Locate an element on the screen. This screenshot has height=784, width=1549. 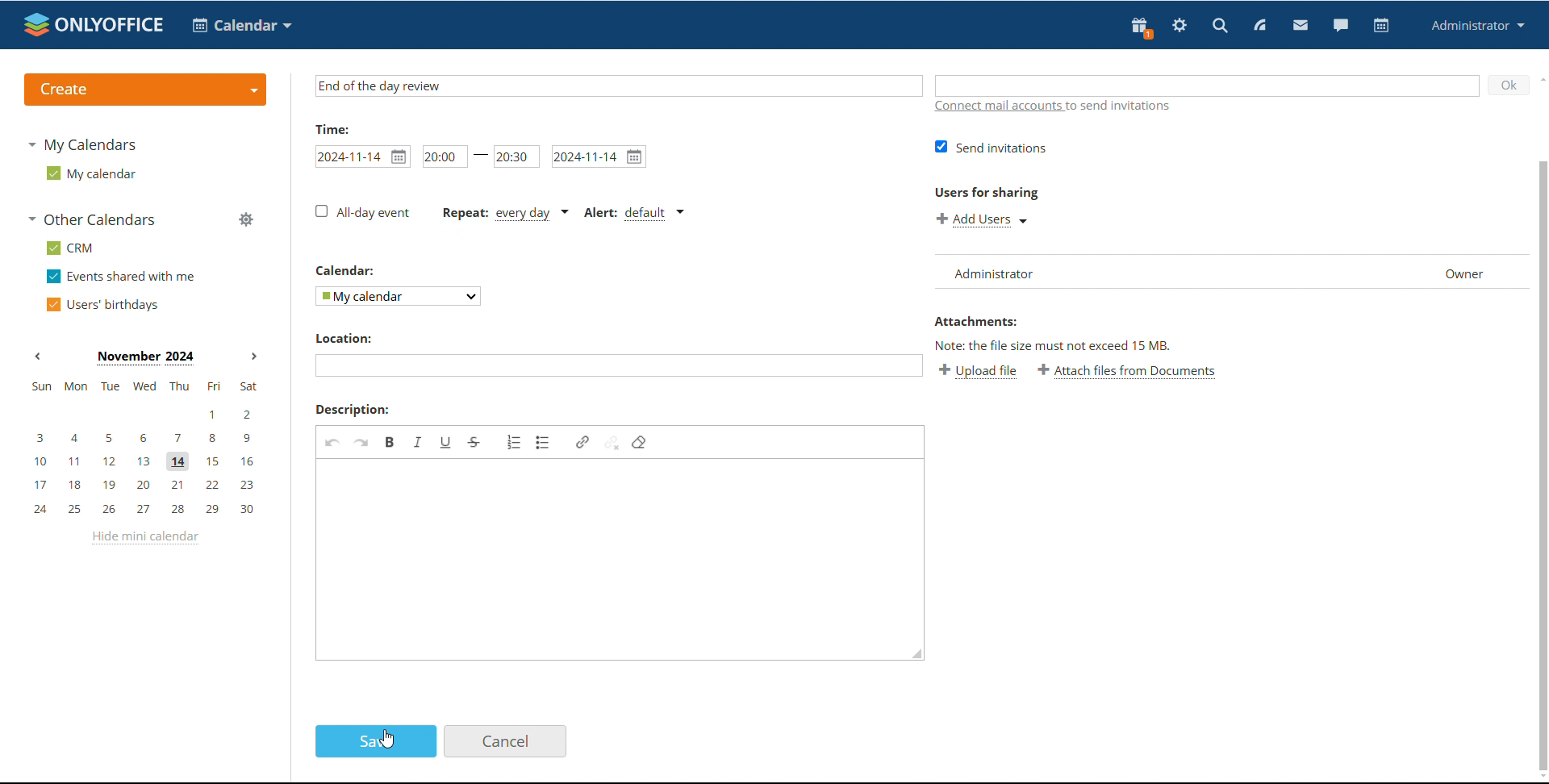
24, 25, 26, 27, 28, 29, 30  is located at coordinates (148, 510).